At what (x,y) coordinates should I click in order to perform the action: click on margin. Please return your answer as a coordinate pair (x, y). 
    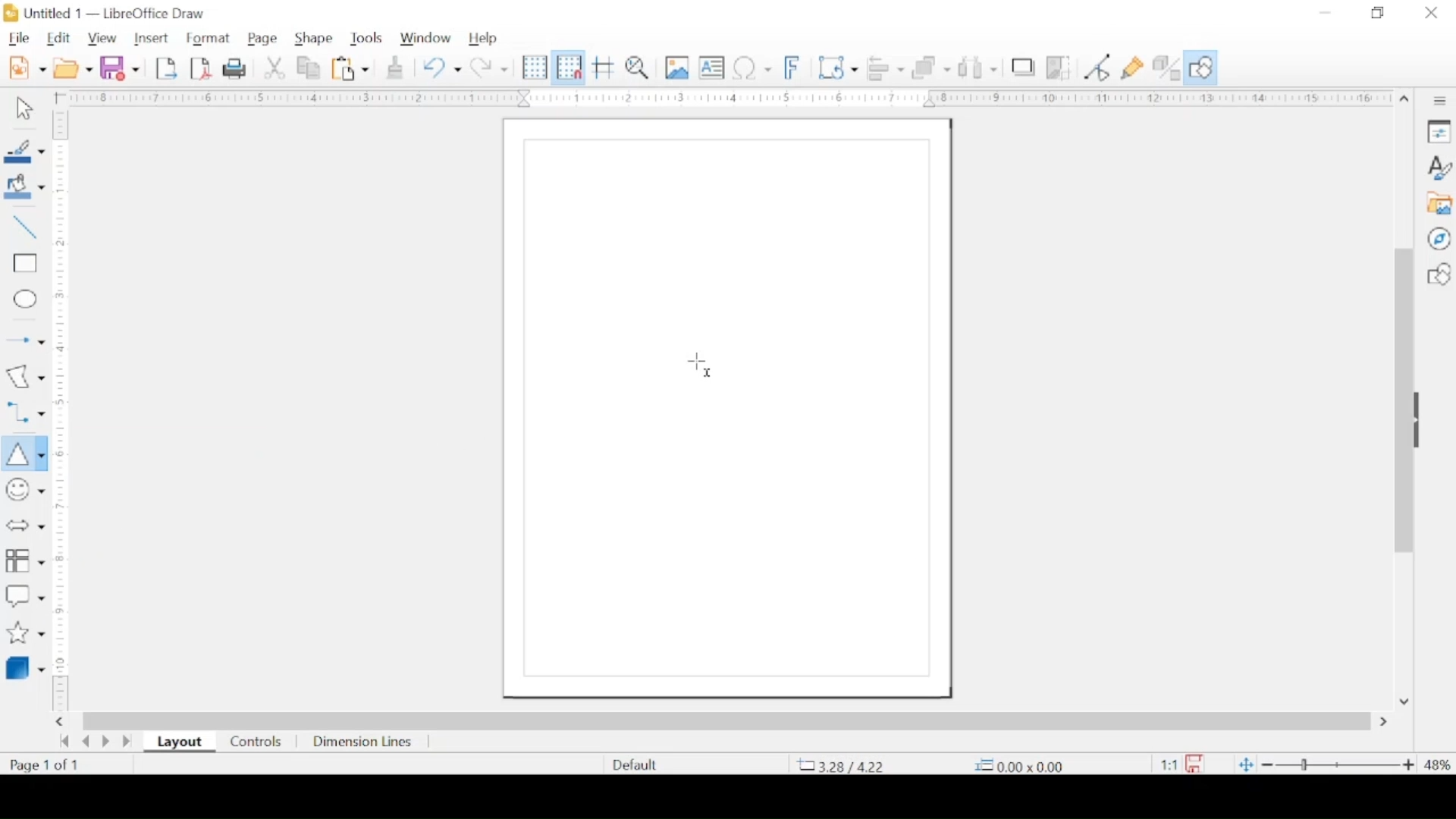
    Looking at the image, I should click on (724, 99).